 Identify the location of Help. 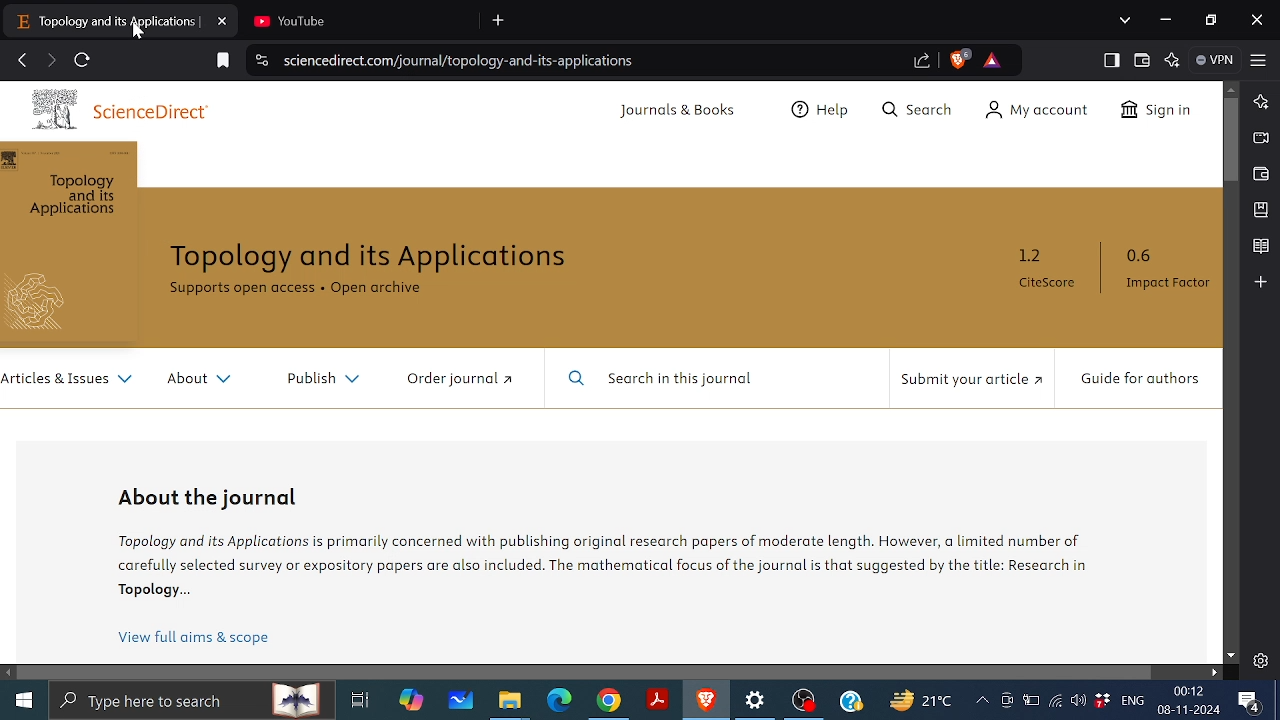
(851, 700).